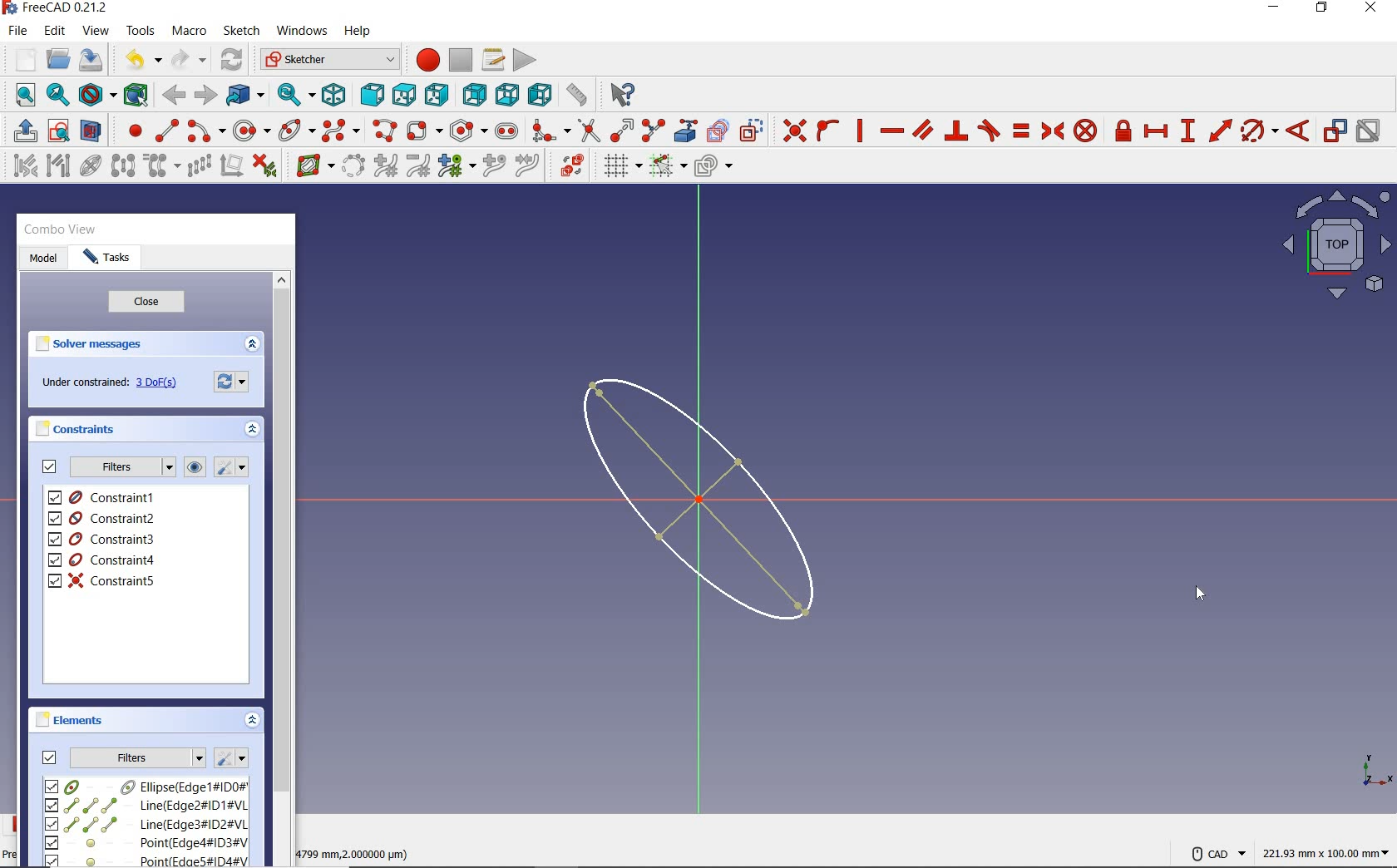  I want to click on settings, so click(230, 467).